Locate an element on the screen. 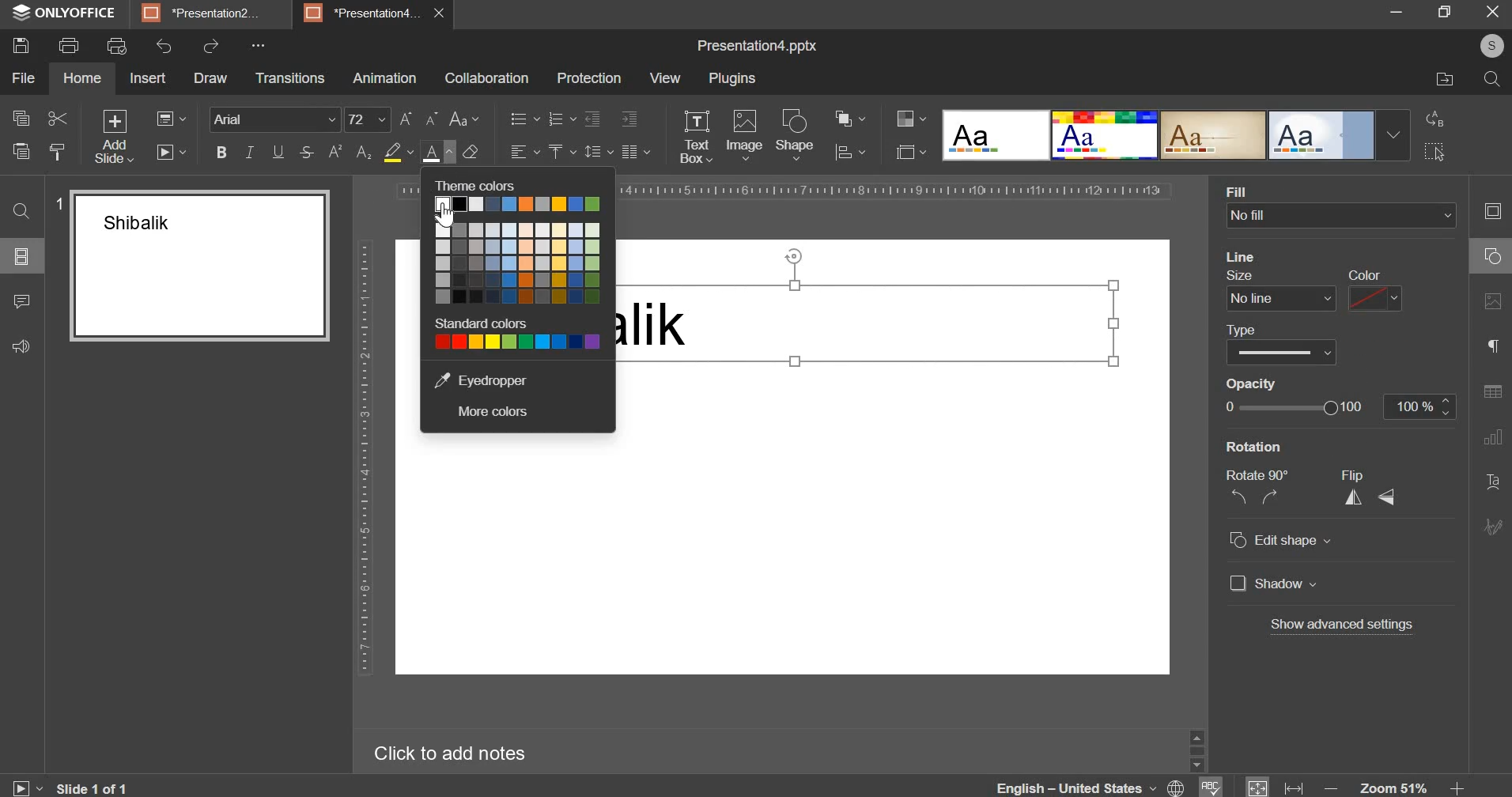 This screenshot has width=1512, height=797. shape is located at coordinates (797, 138).